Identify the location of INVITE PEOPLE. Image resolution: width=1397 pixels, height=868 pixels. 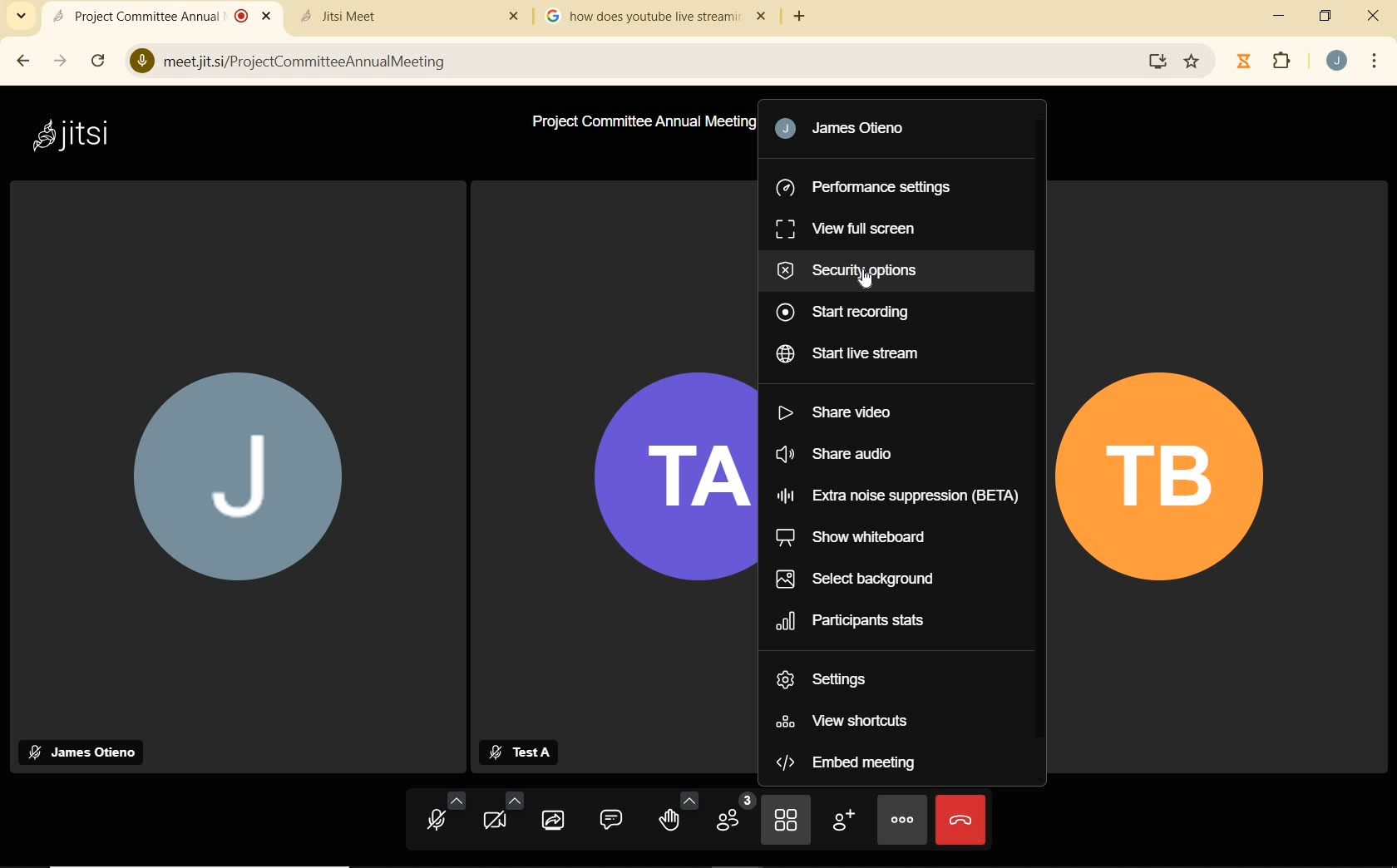
(842, 821).